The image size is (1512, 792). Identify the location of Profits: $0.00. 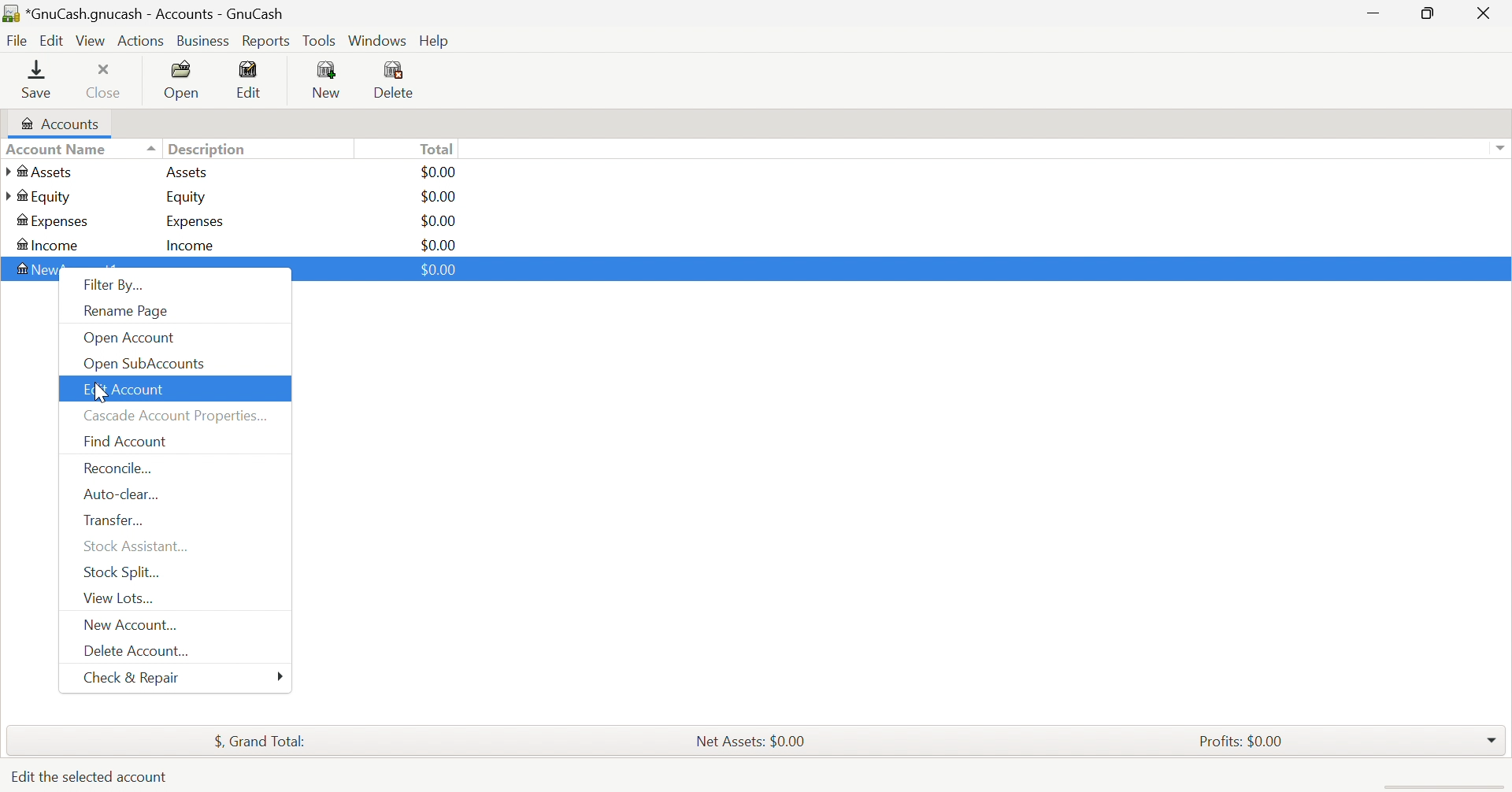
(1240, 739).